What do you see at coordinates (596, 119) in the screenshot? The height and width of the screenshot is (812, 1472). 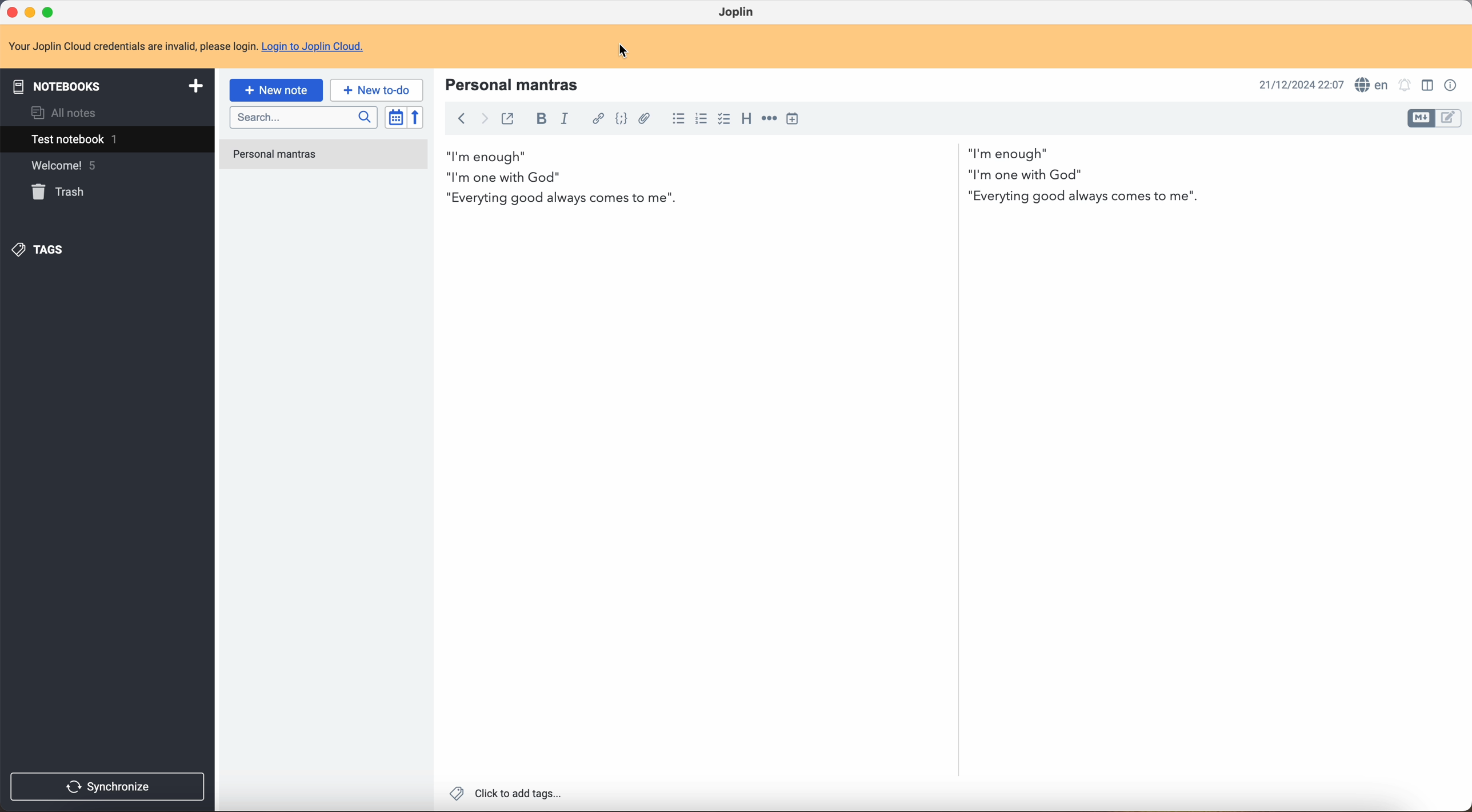 I see `hyperlink` at bounding box center [596, 119].